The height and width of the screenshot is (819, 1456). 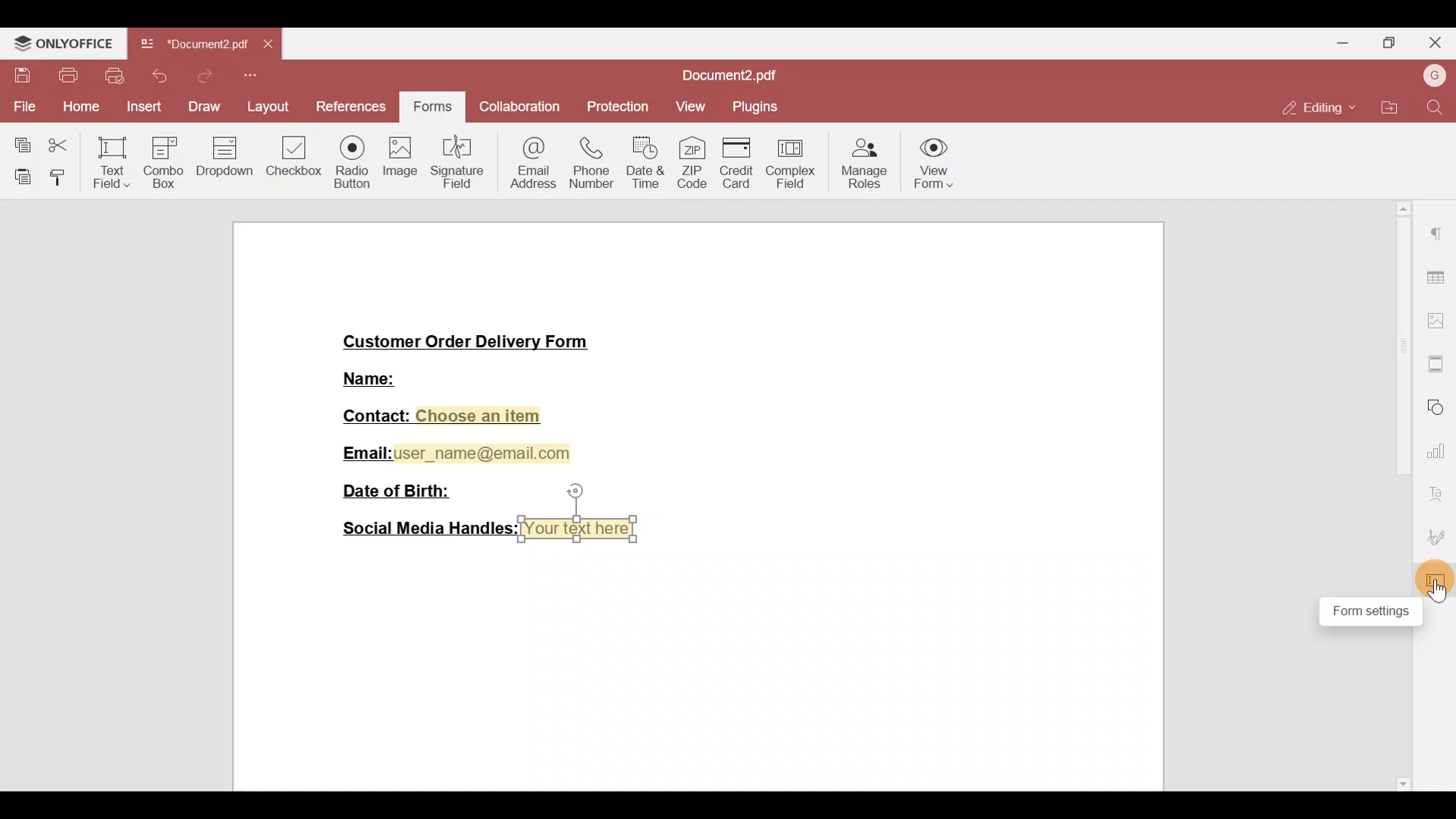 What do you see at coordinates (367, 380) in the screenshot?
I see `Name:` at bounding box center [367, 380].